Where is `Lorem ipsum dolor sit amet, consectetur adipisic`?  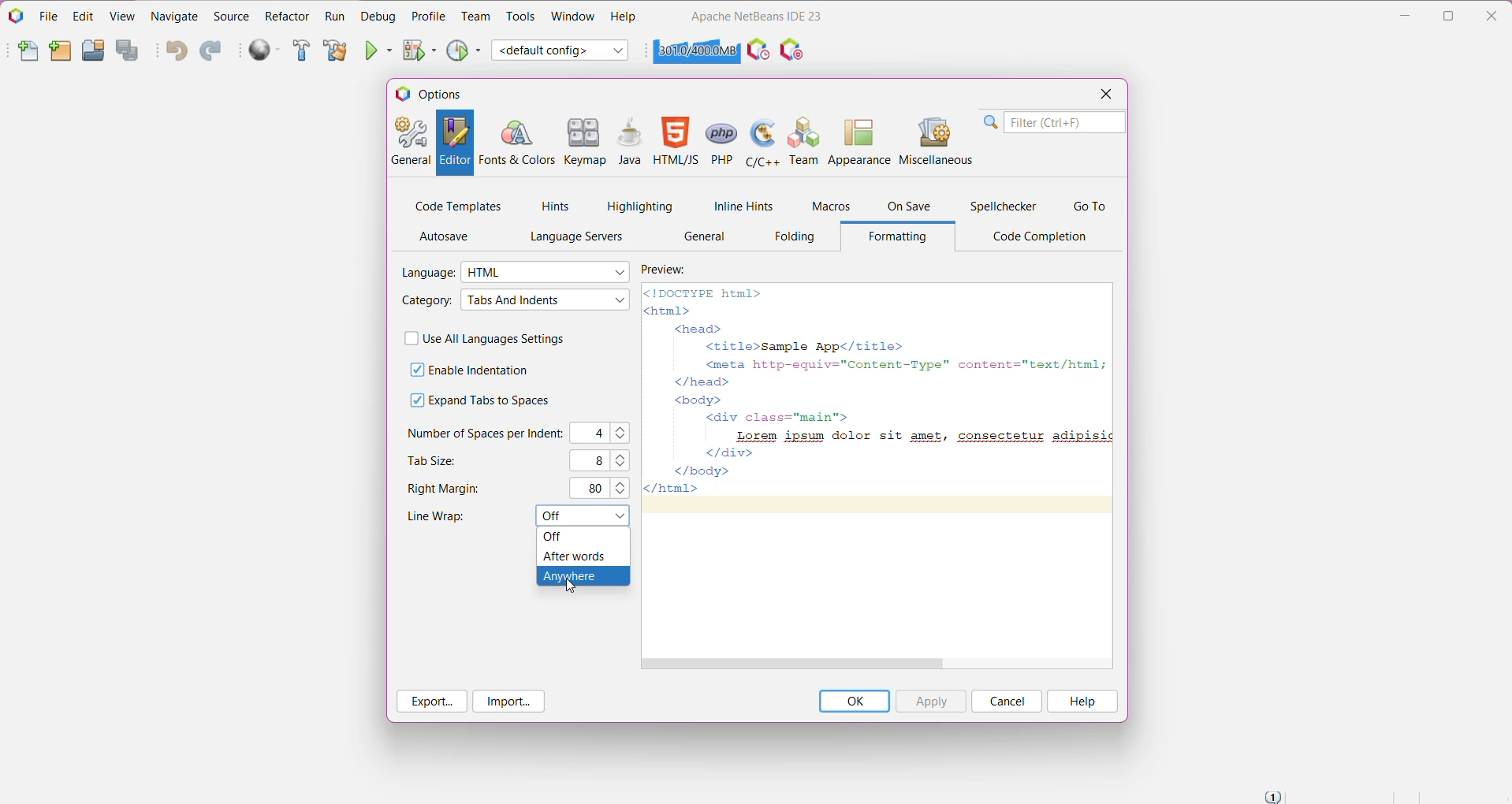 Lorem ipsum dolor sit amet, consectetur adipisic is located at coordinates (918, 435).